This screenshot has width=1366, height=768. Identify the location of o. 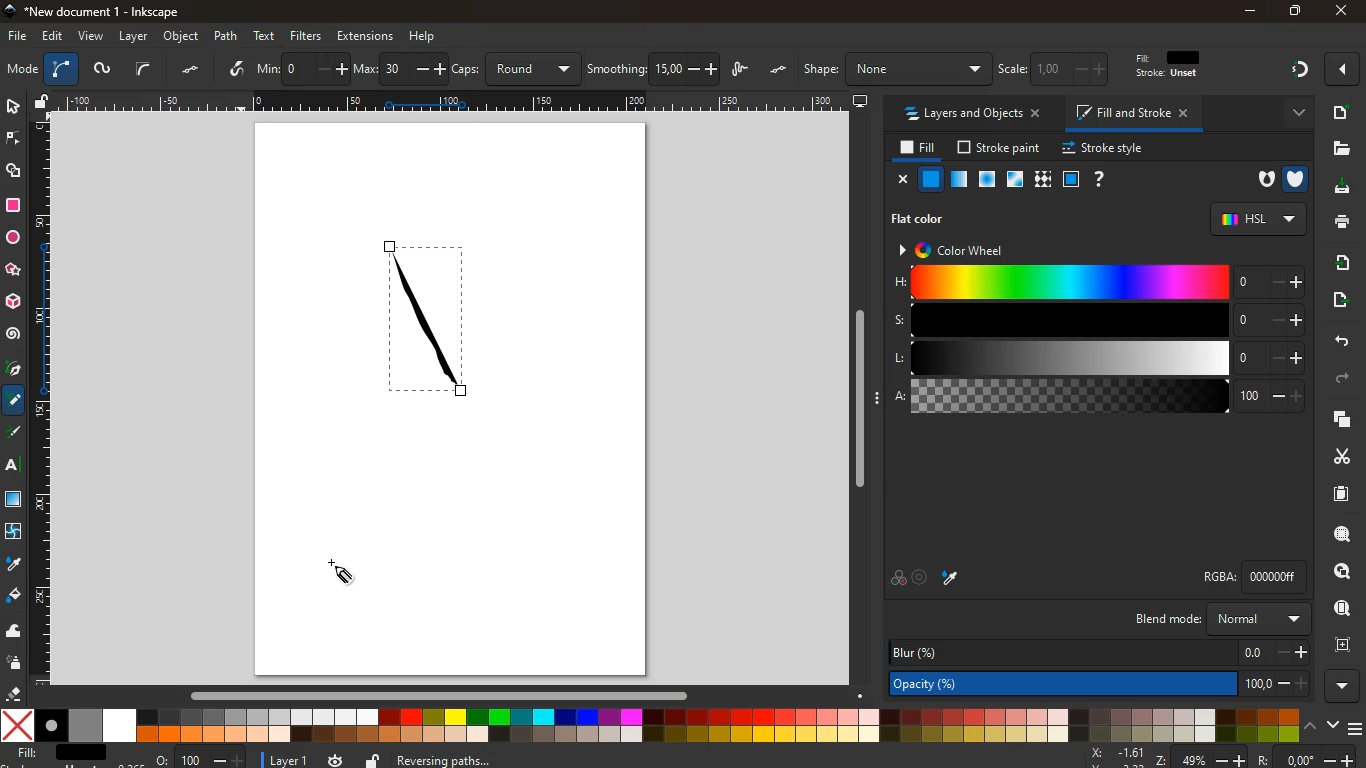
(200, 759).